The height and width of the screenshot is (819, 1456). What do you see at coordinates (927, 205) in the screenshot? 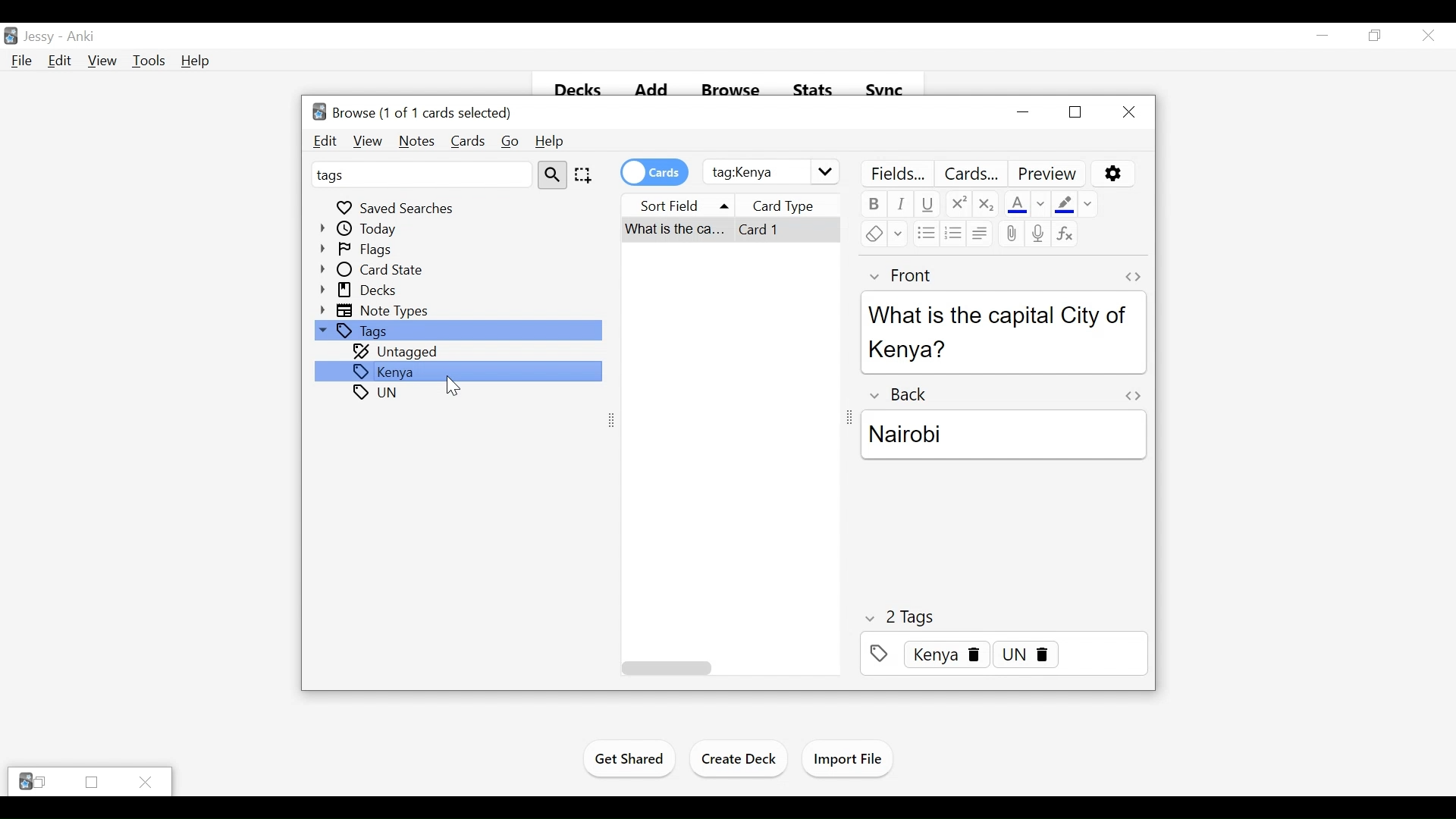
I see `Underline` at bounding box center [927, 205].